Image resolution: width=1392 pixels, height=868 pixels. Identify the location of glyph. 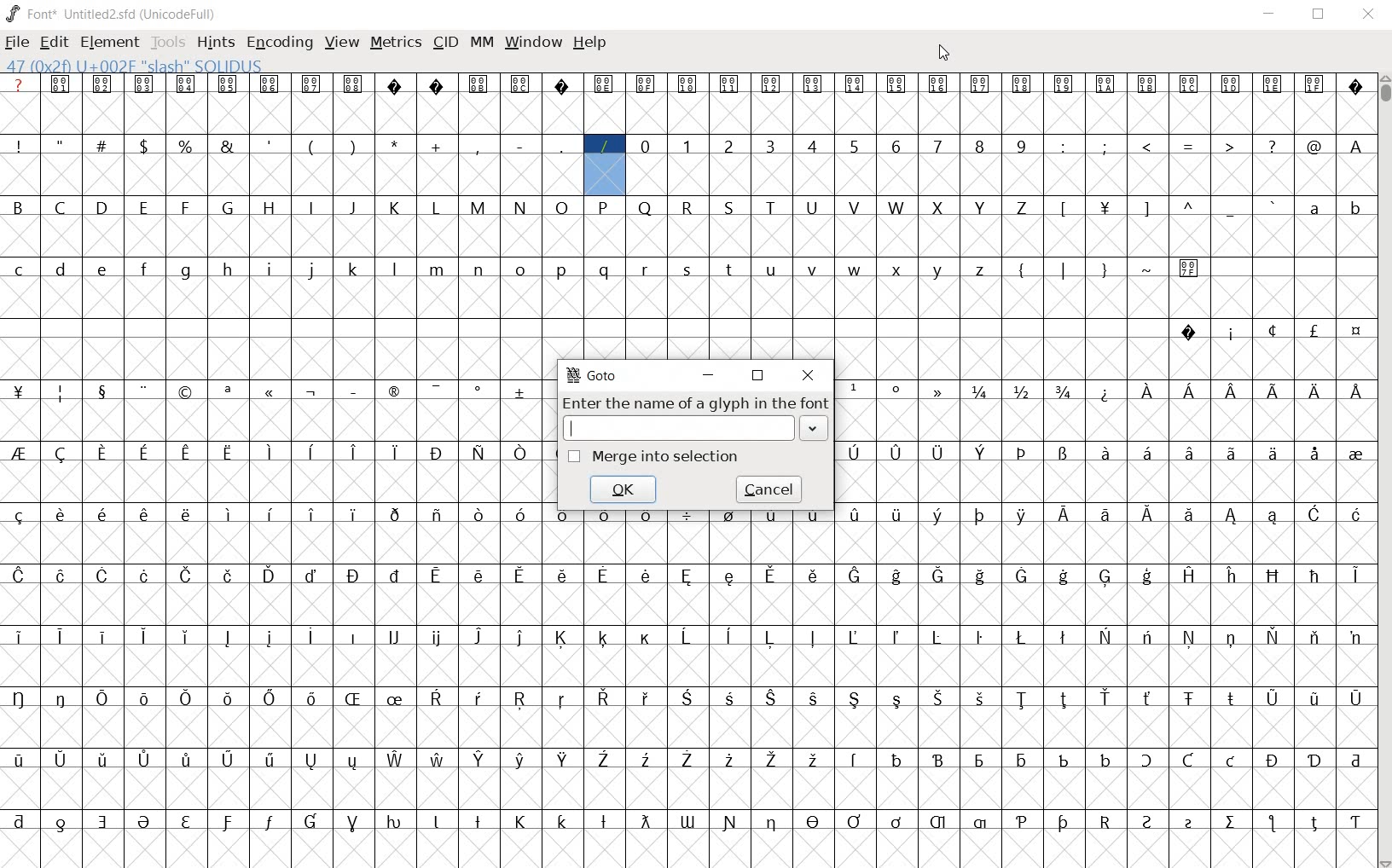
(60, 143).